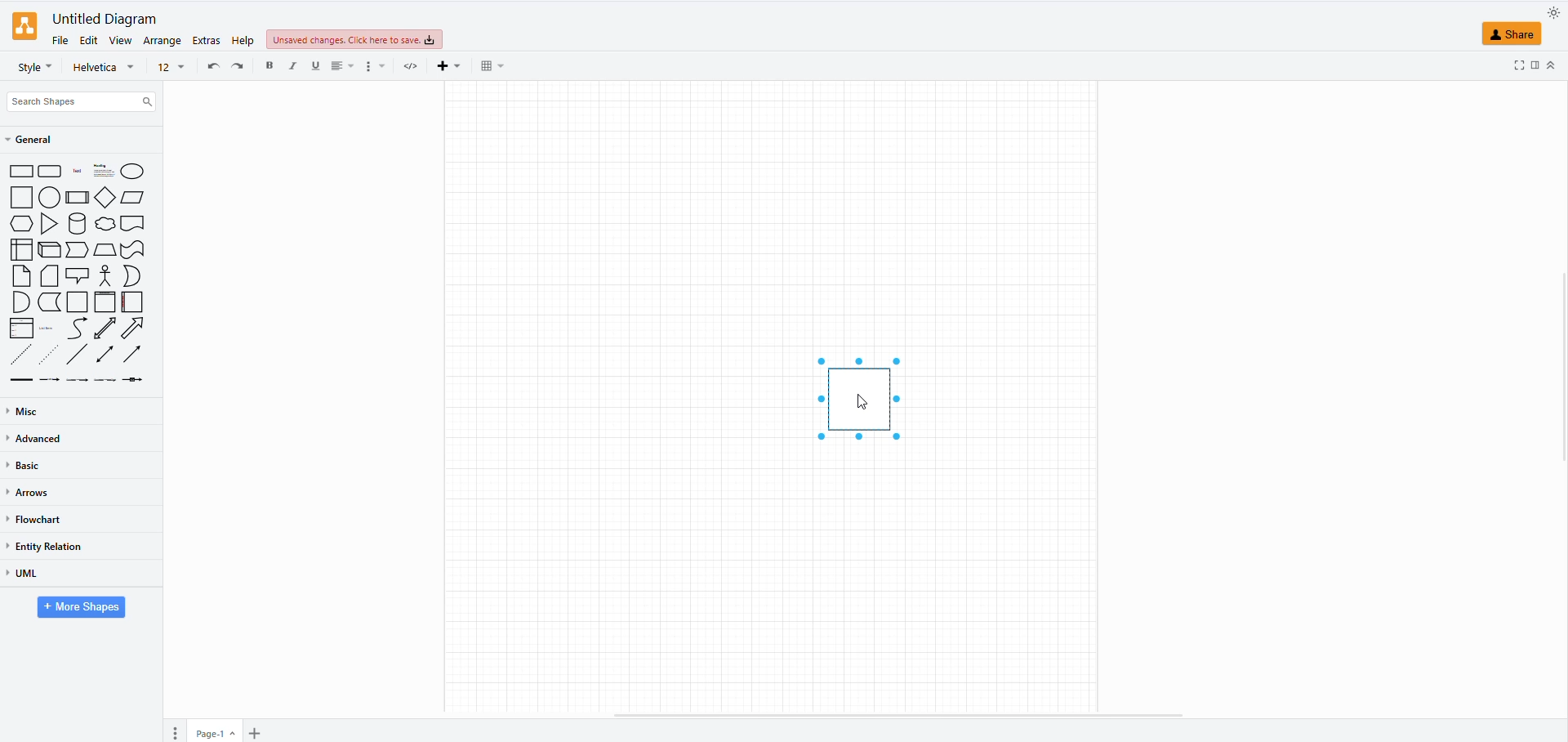 The height and width of the screenshot is (742, 1568). What do you see at coordinates (105, 251) in the screenshot?
I see `trapezoid` at bounding box center [105, 251].